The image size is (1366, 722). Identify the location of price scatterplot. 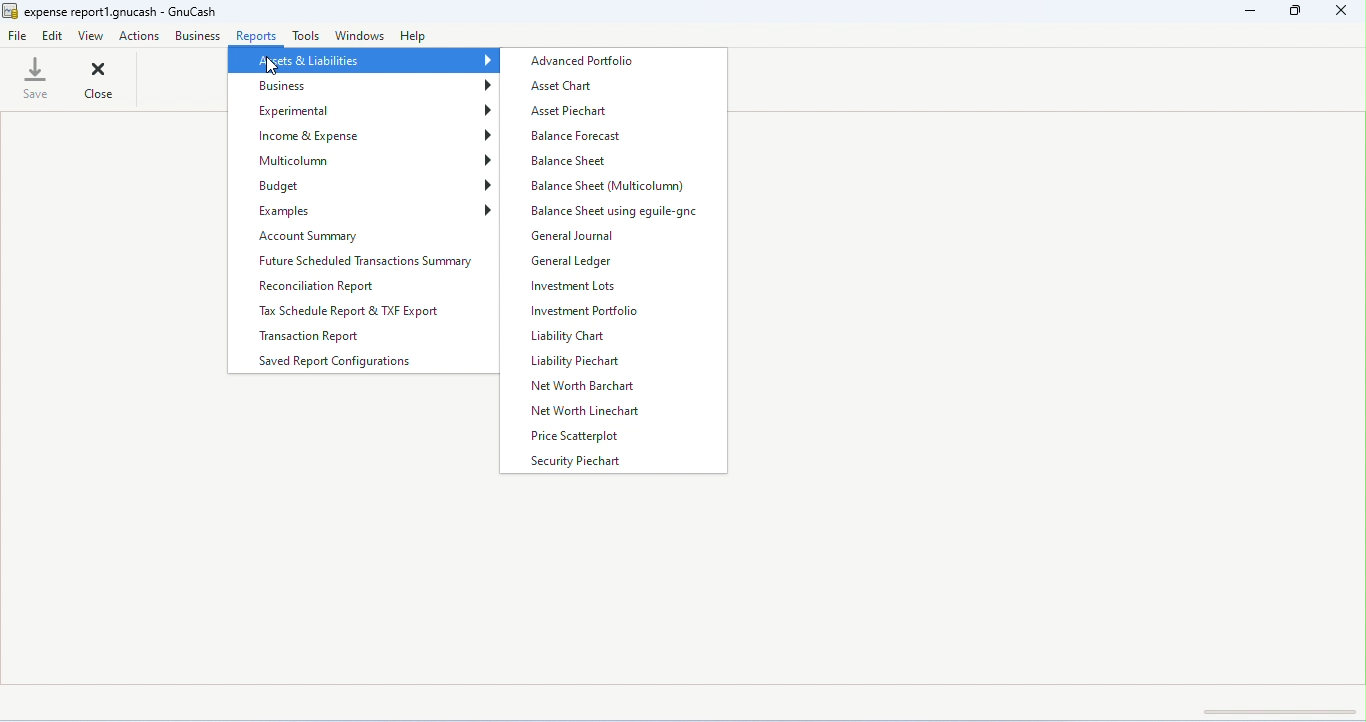
(588, 437).